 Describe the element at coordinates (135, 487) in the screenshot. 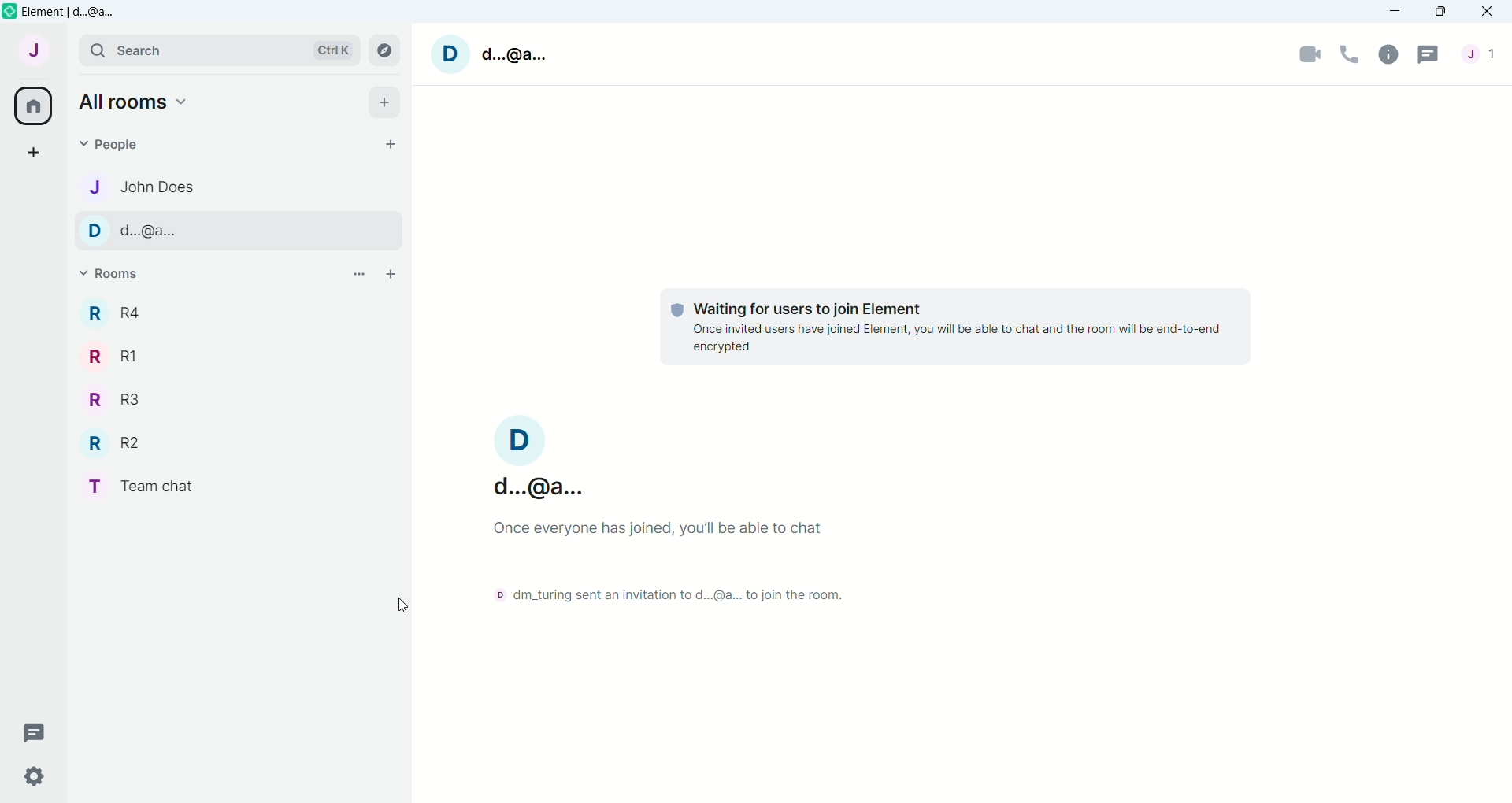

I see `Room Team Chat` at that location.